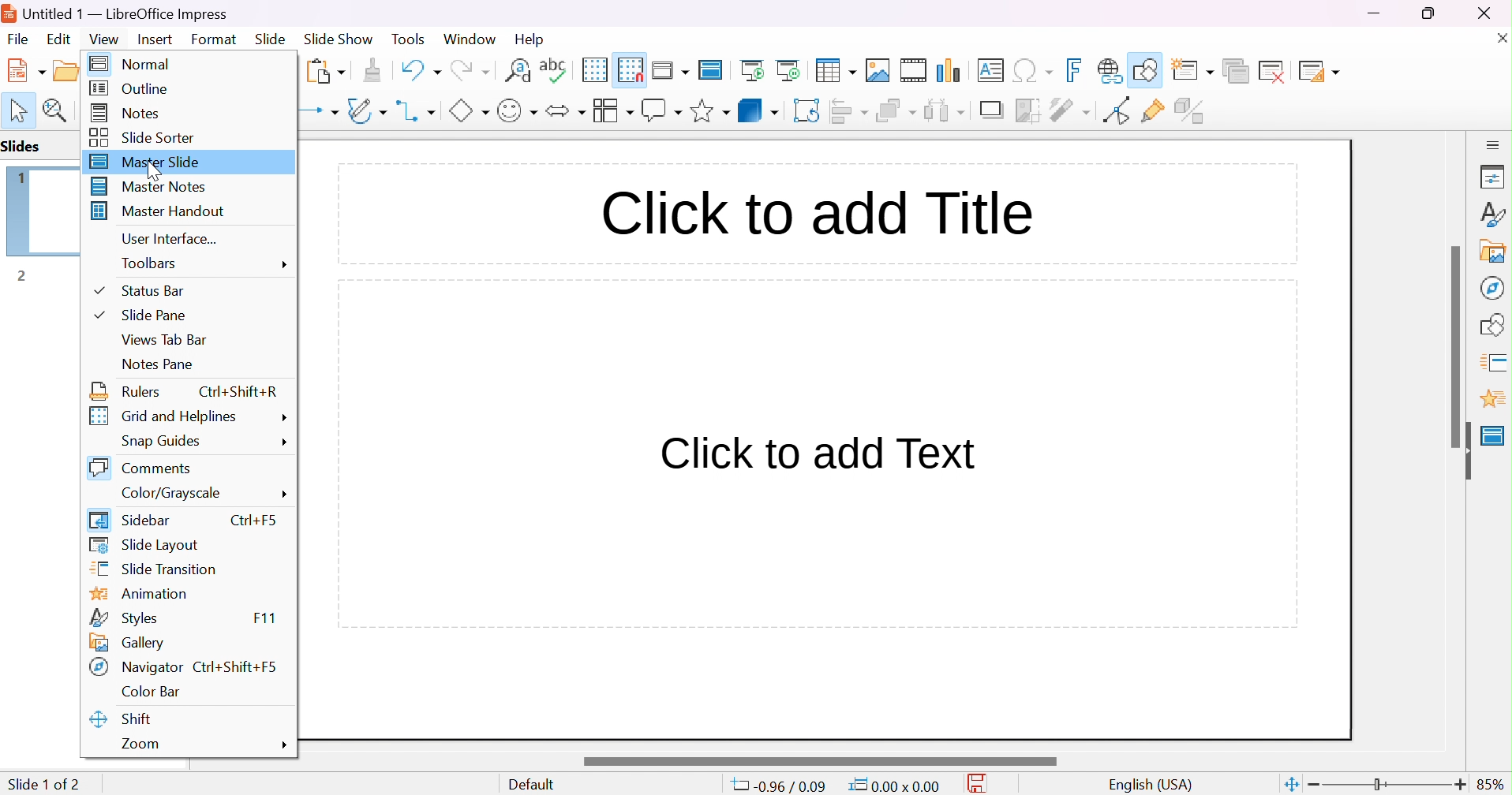  What do you see at coordinates (1493, 13) in the screenshot?
I see `close` at bounding box center [1493, 13].